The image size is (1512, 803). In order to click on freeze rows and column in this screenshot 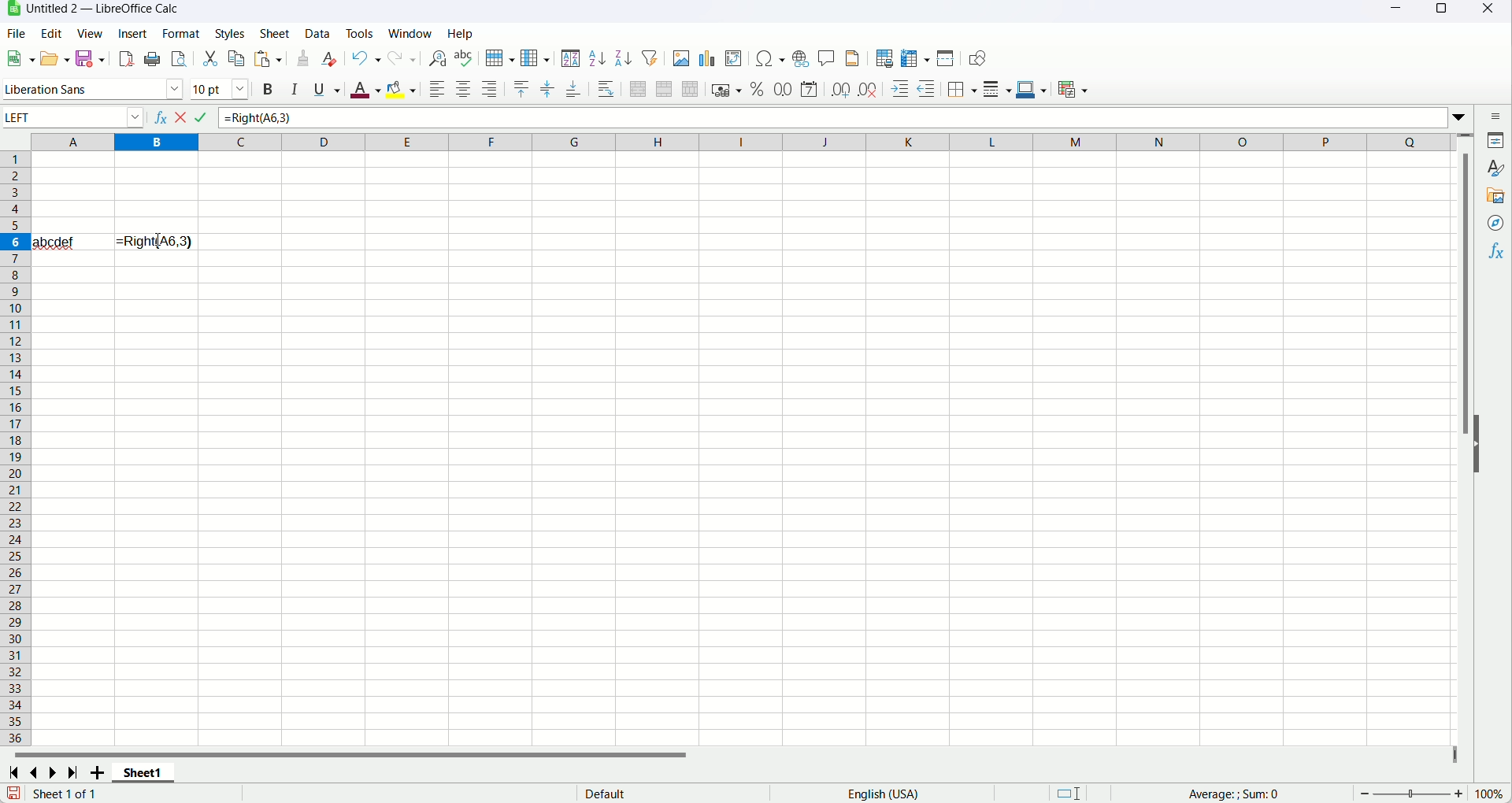, I will do `click(916, 57)`.